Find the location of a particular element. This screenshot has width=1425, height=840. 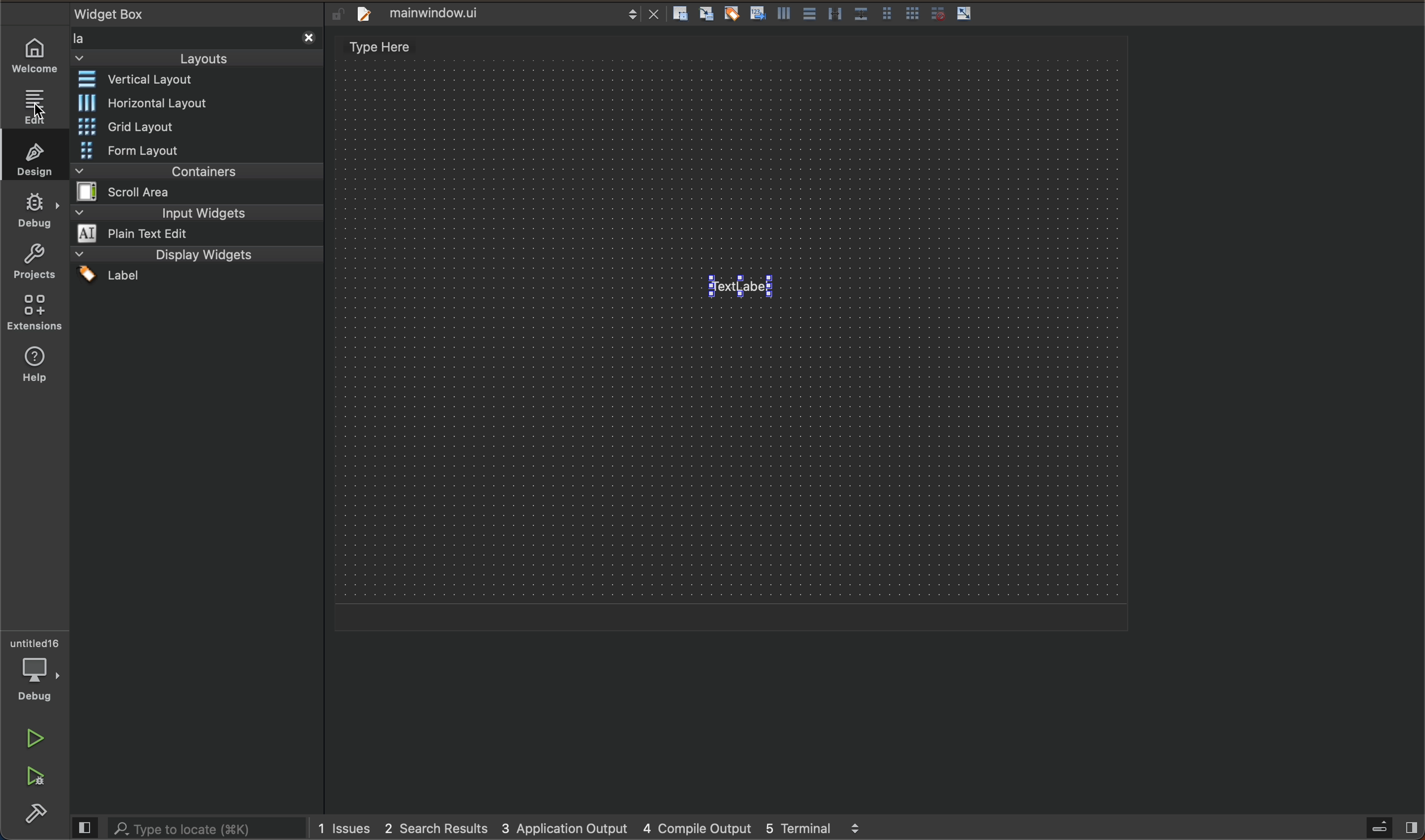

Layouts is located at coordinates (188, 60).